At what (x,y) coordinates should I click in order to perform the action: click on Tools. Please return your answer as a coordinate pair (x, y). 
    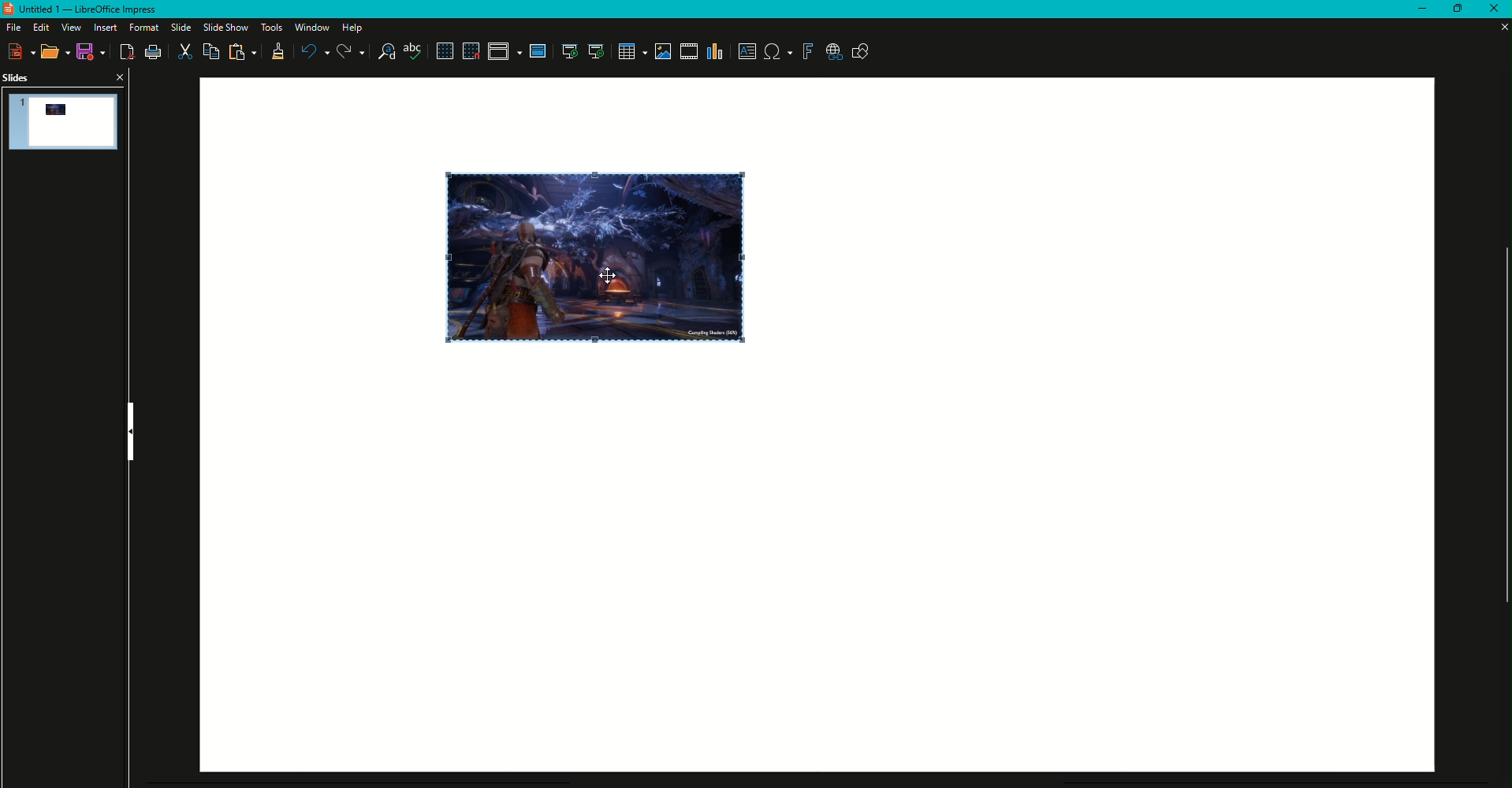
    Looking at the image, I should click on (269, 28).